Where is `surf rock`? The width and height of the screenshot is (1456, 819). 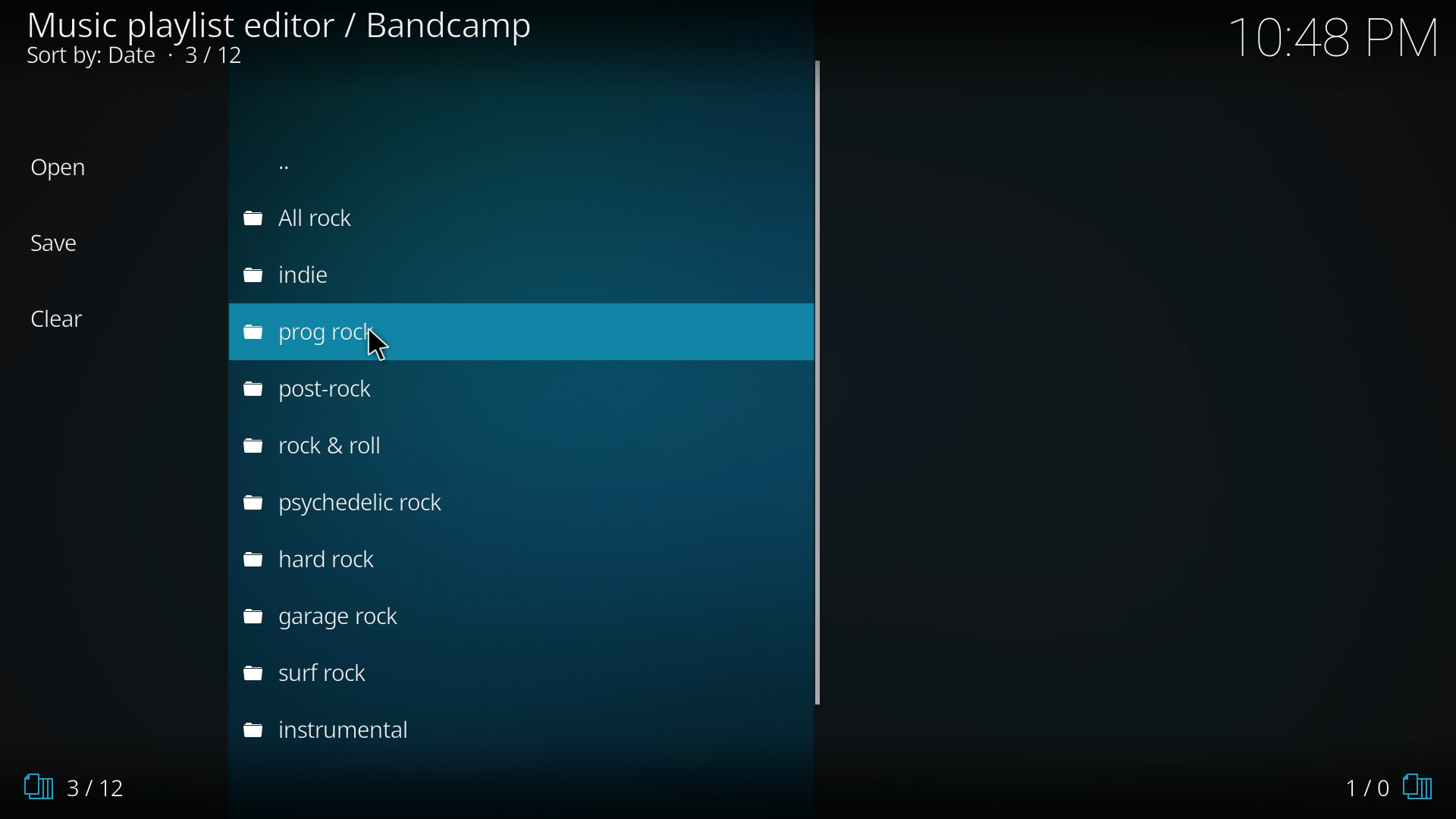 surf rock is located at coordinates (333, 670).